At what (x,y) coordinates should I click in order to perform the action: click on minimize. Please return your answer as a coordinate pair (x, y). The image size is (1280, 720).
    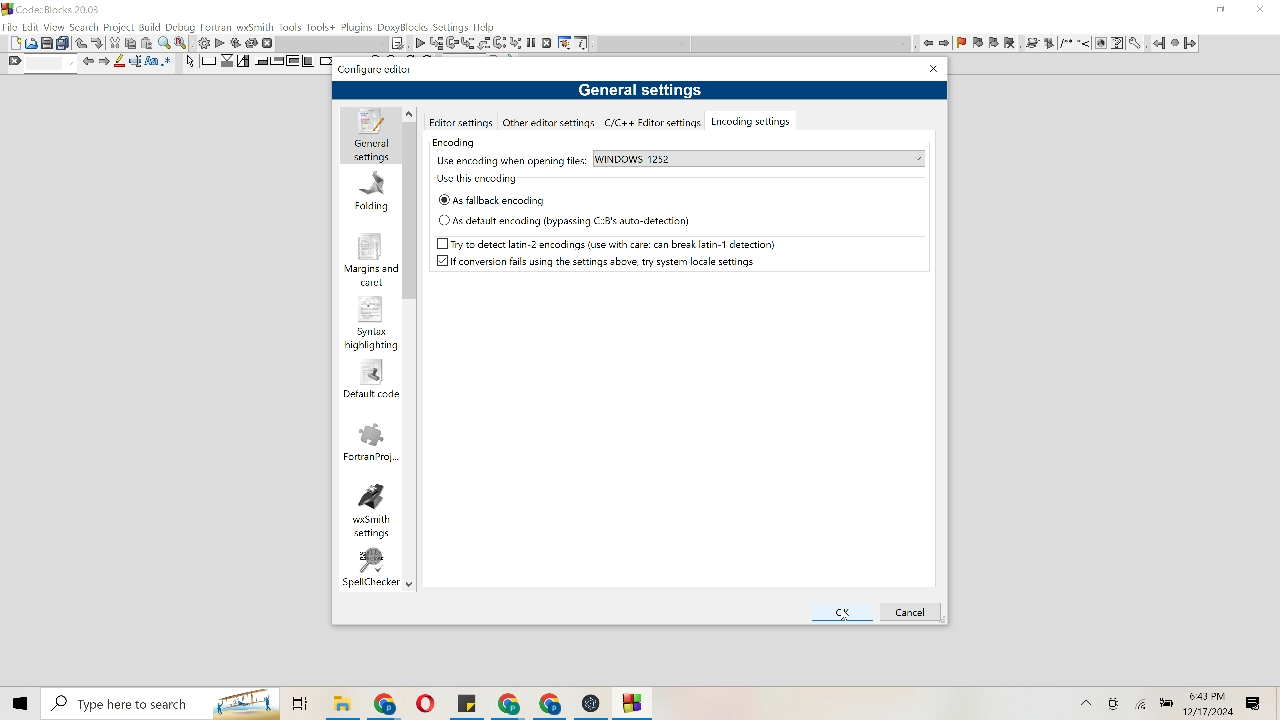
    Looking at the image, I should click on (1222, 10).